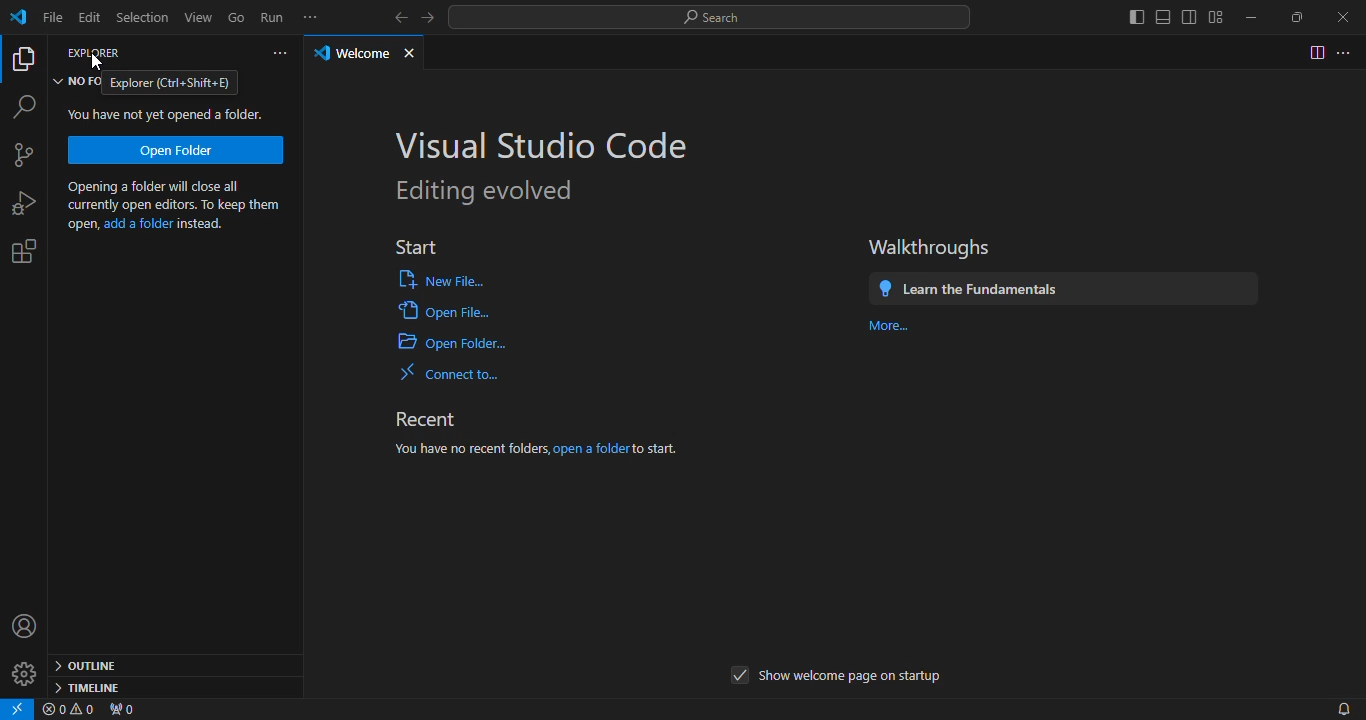 The height and width of the screenshot is (720, 1366). What do you see at coordinates (394, 15) in the screenshot?
I see `back` at bounding box center [394, 15].